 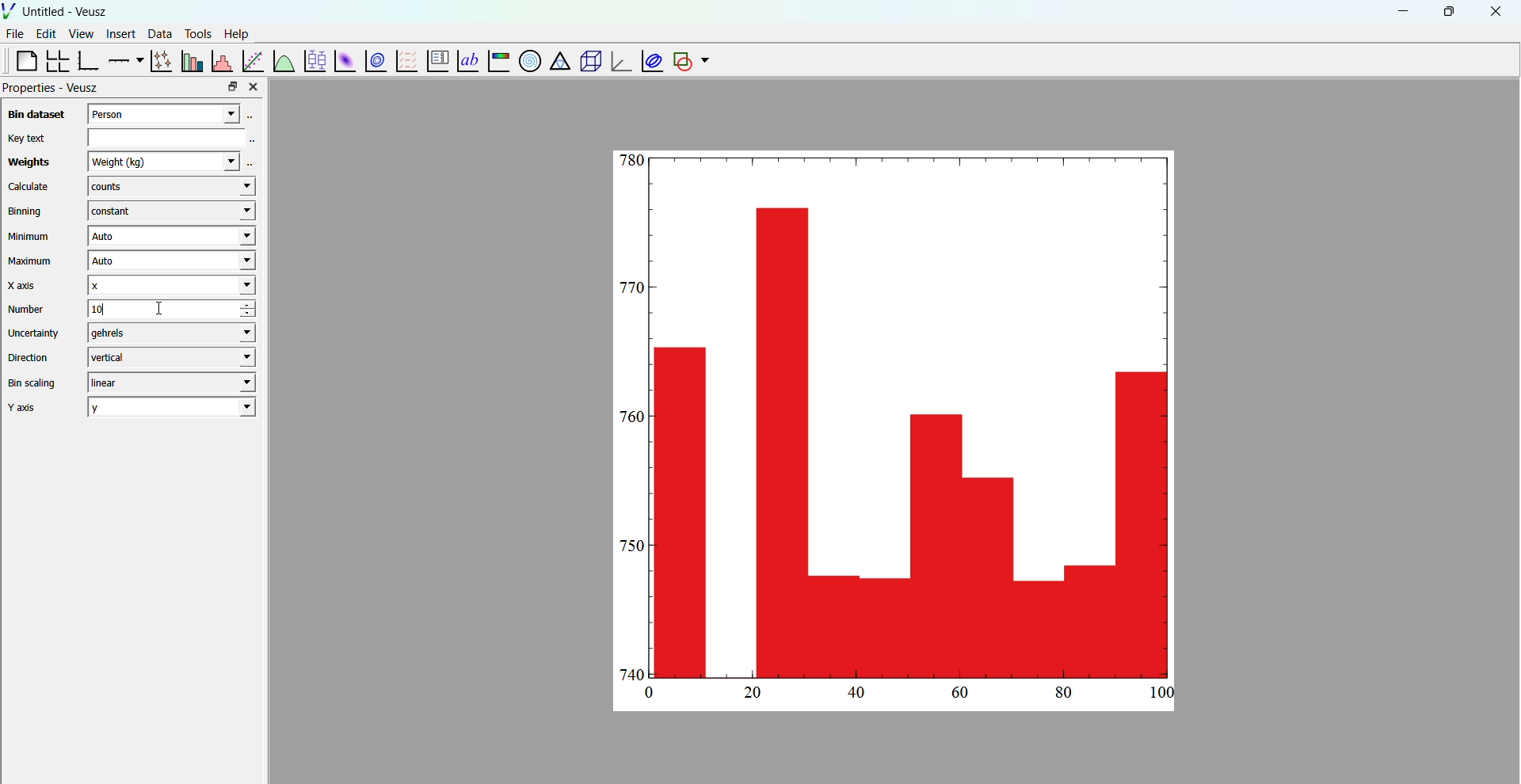 What do you see at coordinates (497, 63) in the screenshot?
I see `image color graph` at bounding box center [497, 63].